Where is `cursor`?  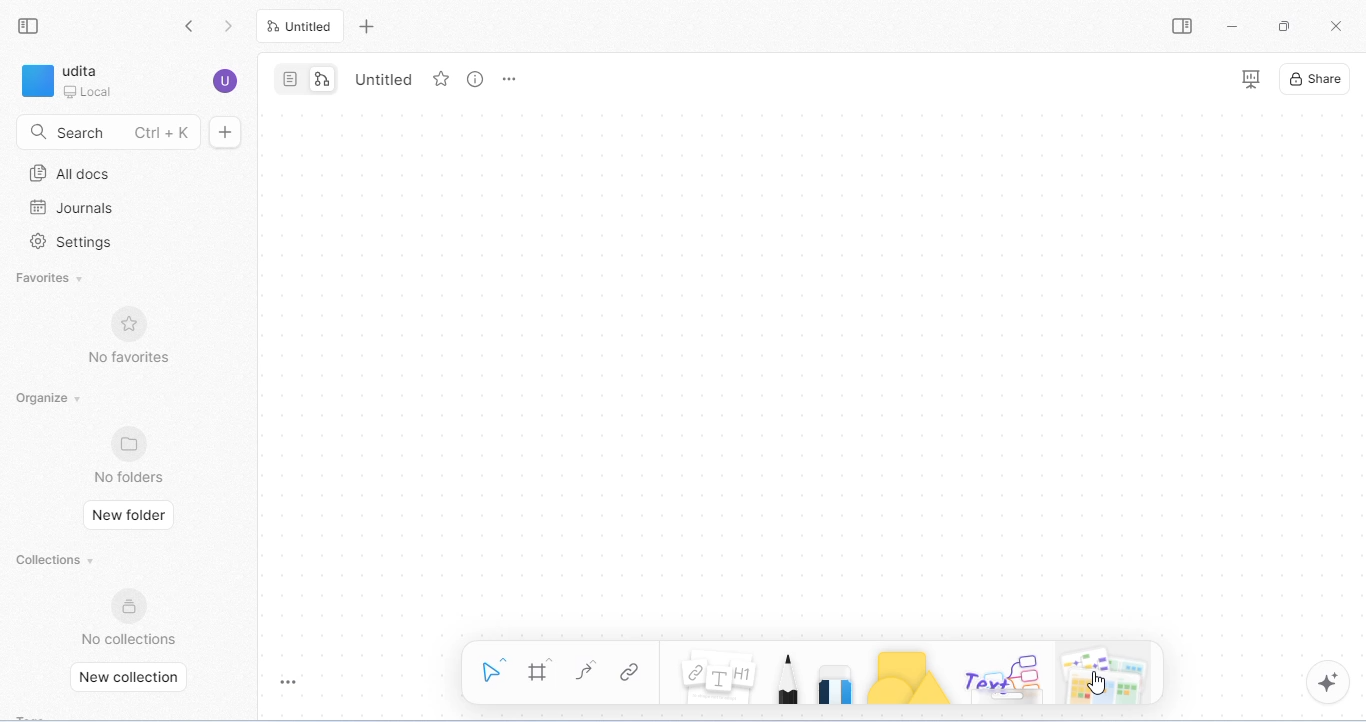 cursor is located at coordinates (1098, 683).